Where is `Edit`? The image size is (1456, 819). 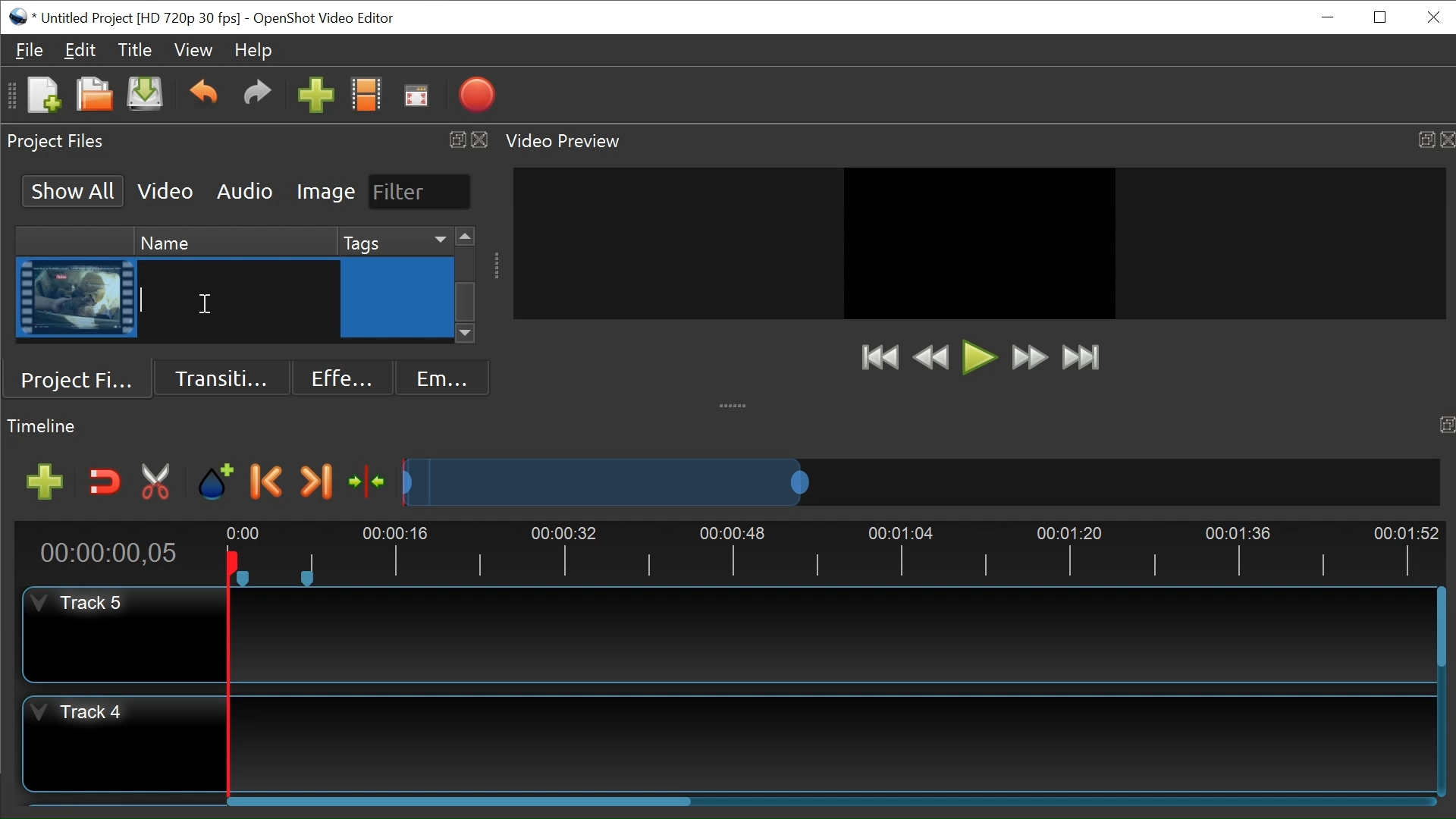 Edit is located at coordinates (81, 52).